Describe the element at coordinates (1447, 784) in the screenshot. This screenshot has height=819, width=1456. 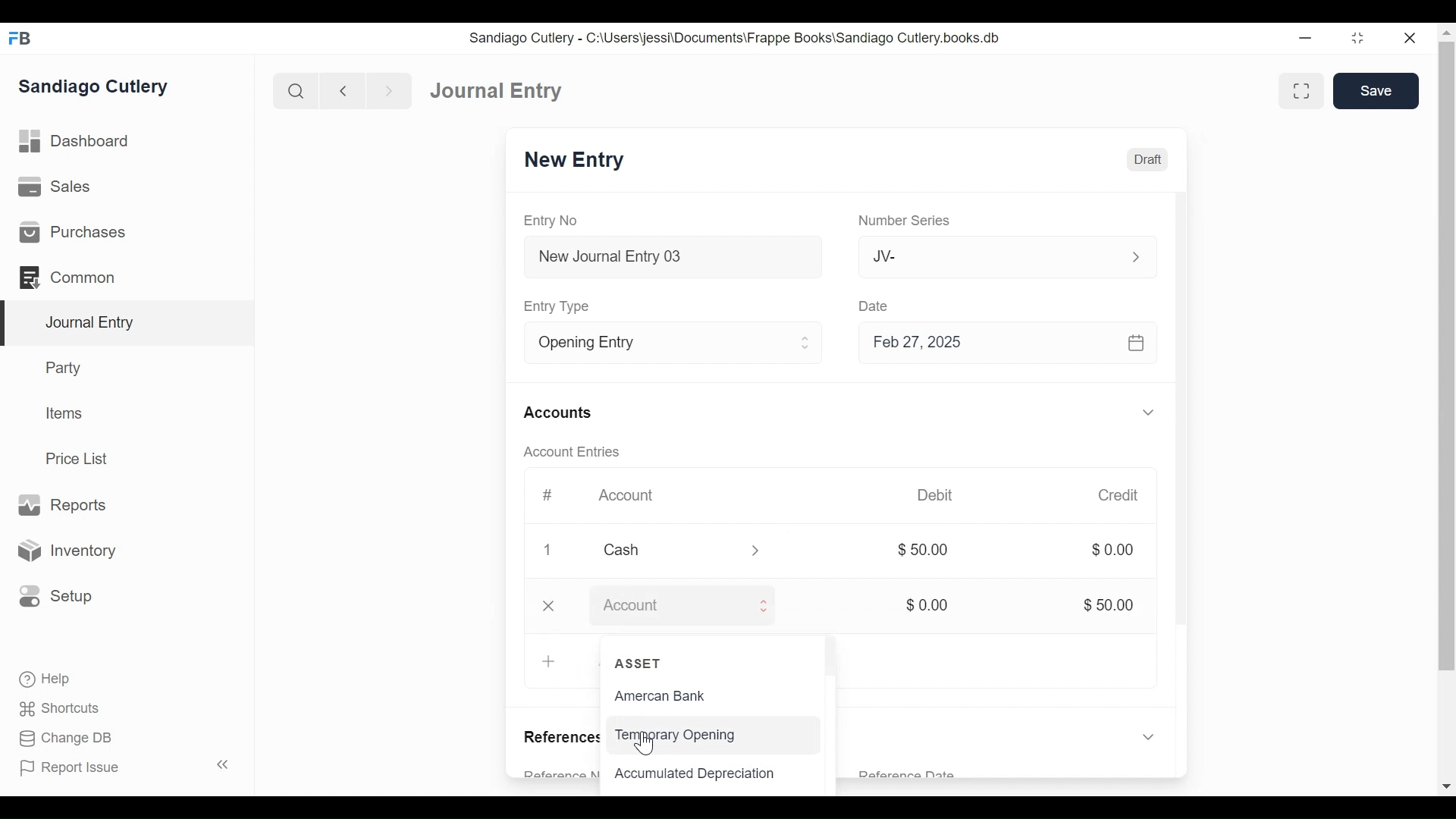
I see `Scroll down` at that location.